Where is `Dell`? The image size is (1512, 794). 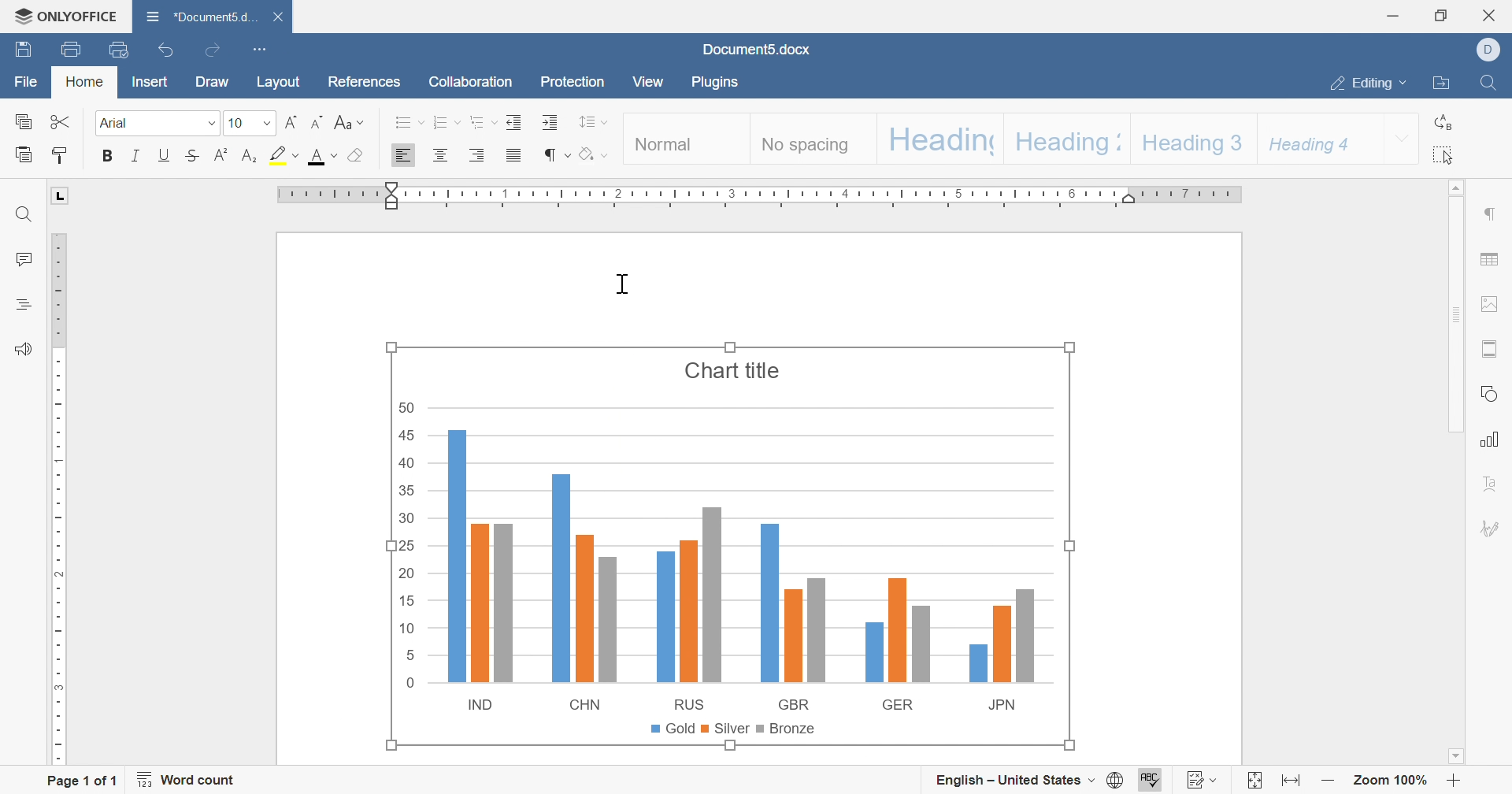 Dell is located at coordinates (1491, 49).